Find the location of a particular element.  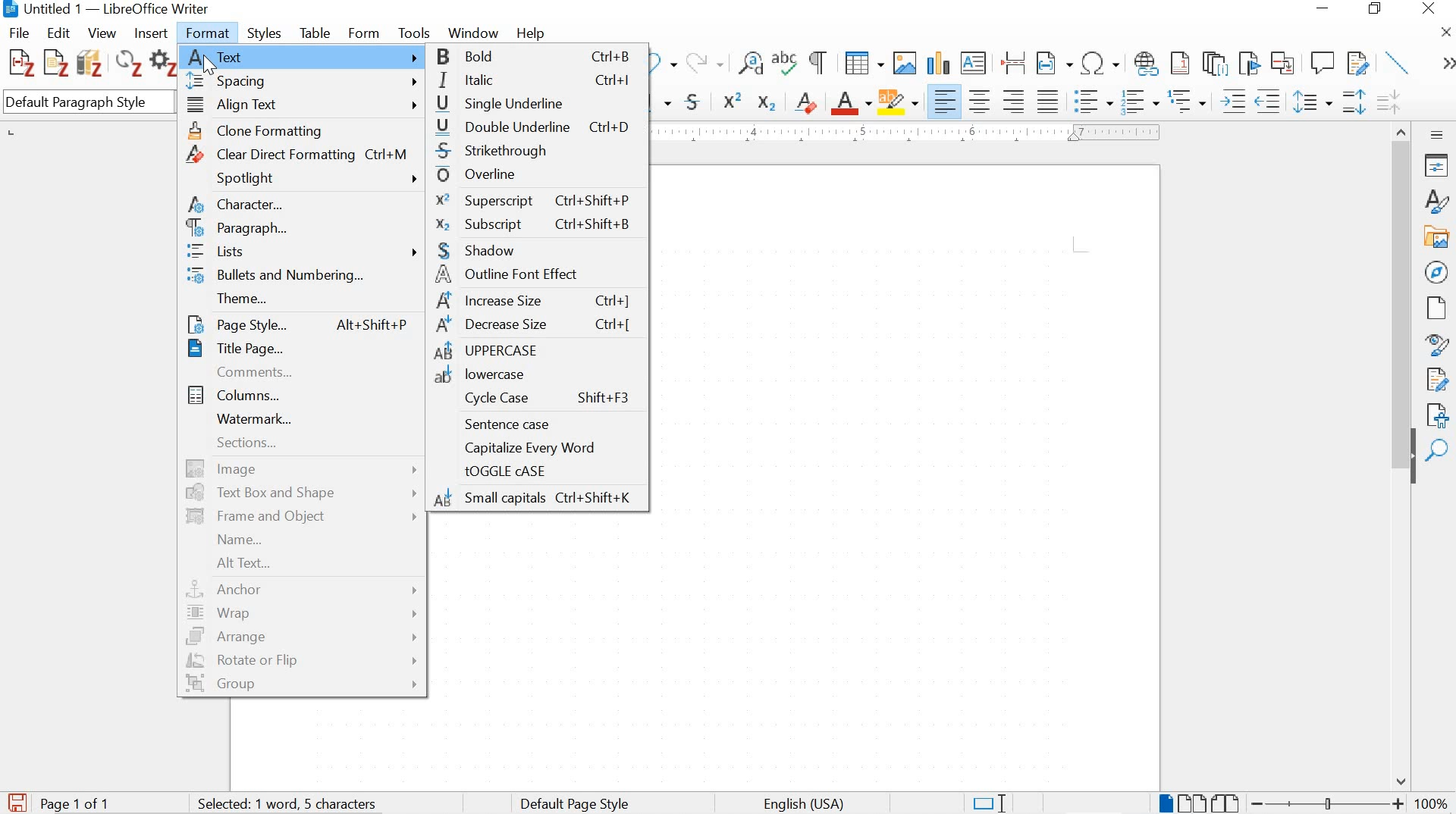

insert page break is located at coordinates (1013, 61).